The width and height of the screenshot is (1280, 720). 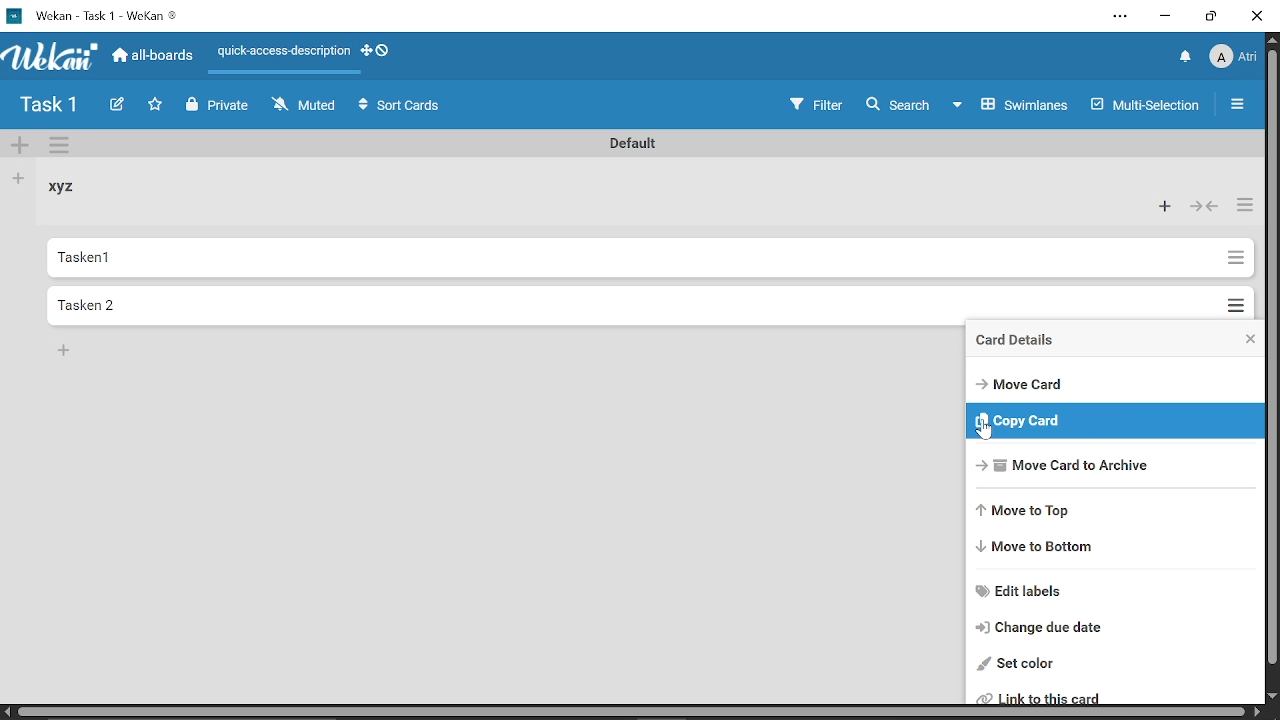 I want to click on Show desktop drag handles, so click(x=378, y=51).